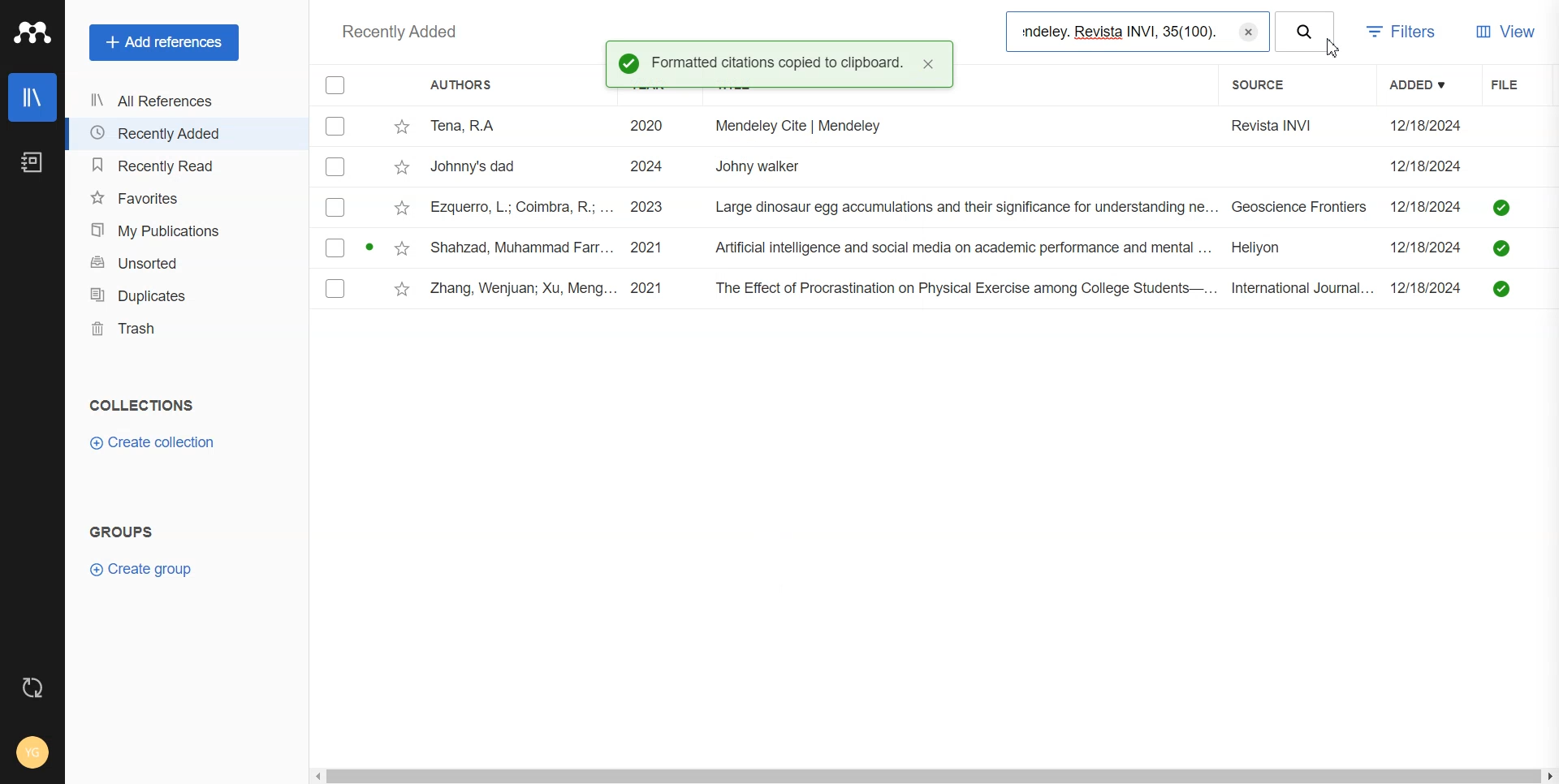  I want to click on Star, so click(403, 166).